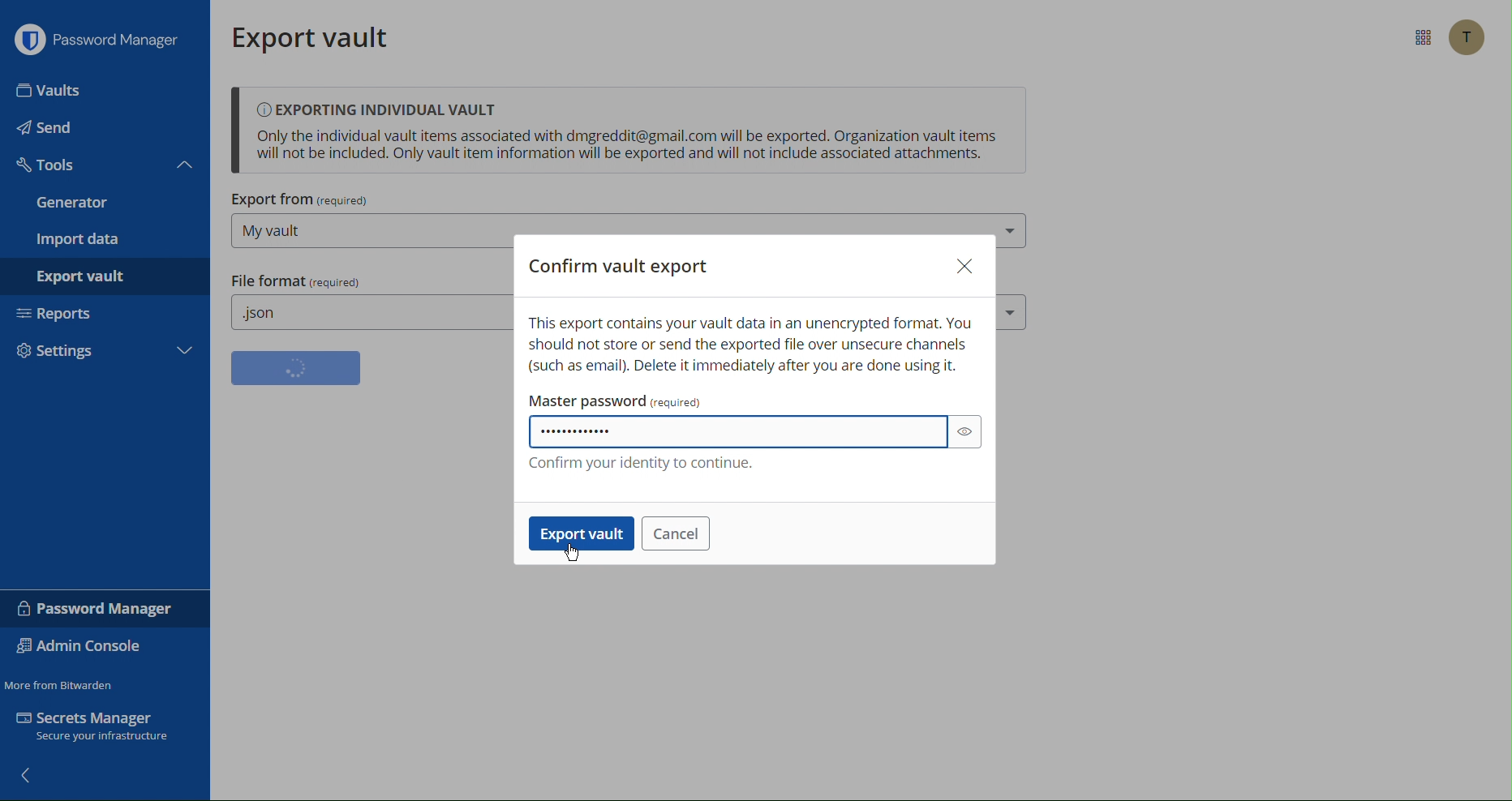  I want to click on Send, so click(49, 131).